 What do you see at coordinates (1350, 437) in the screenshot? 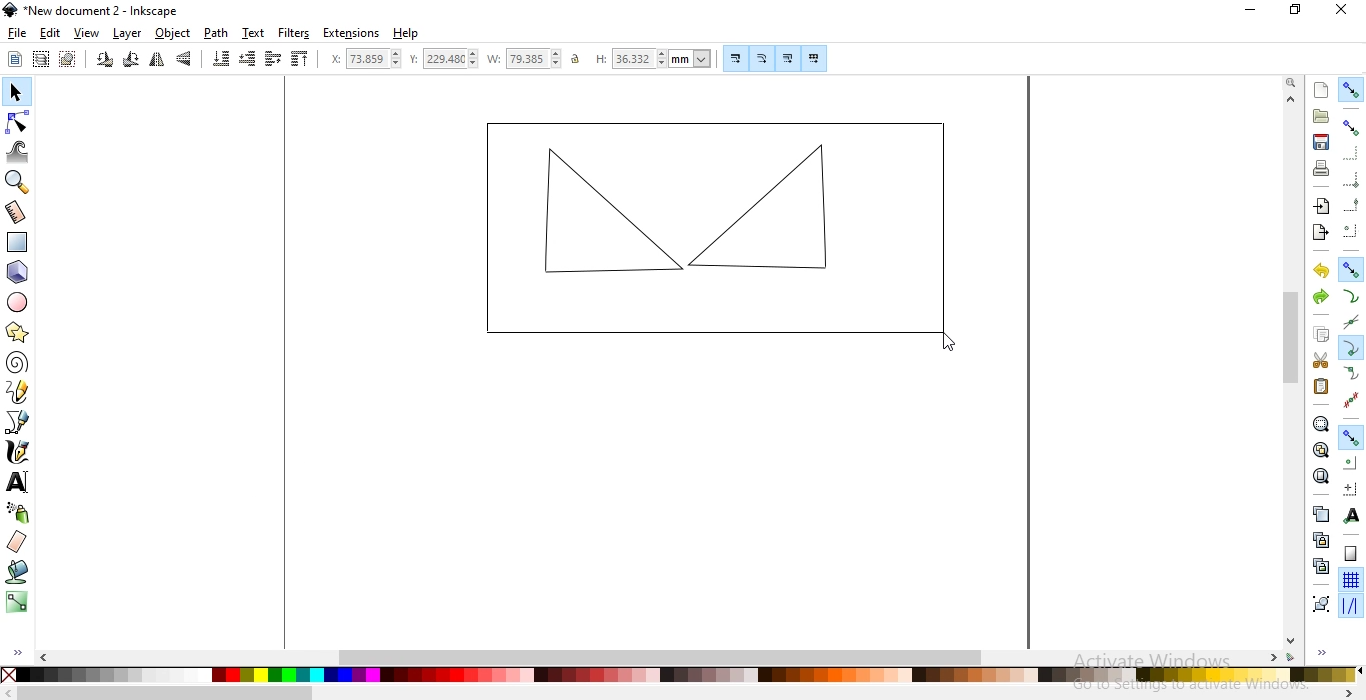
I see `snap other points ` at bounding box center [1350, 437].